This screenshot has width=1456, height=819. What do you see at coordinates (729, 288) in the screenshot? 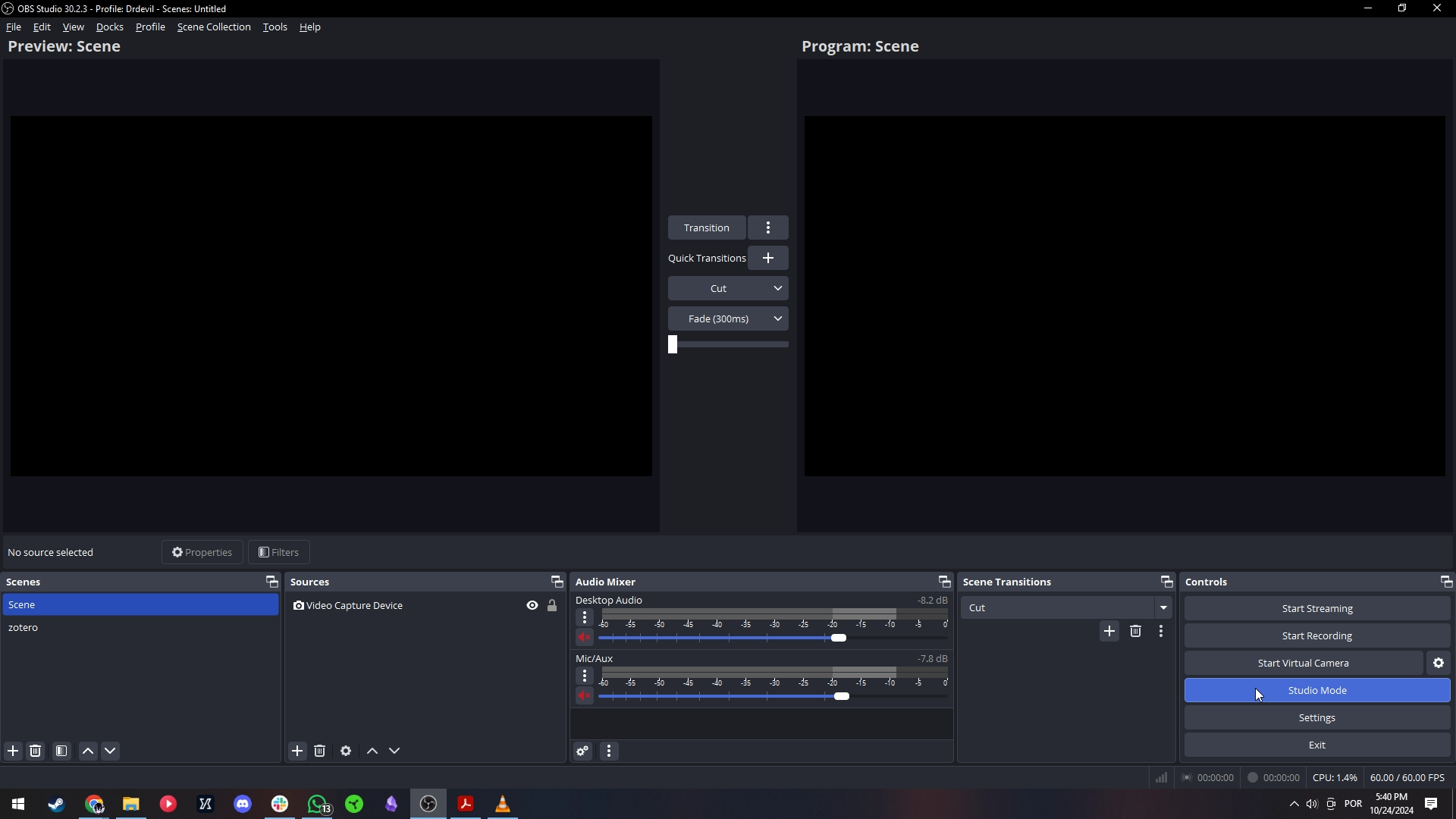
I see `Transition menu 1` at bounding box center [729, 288].